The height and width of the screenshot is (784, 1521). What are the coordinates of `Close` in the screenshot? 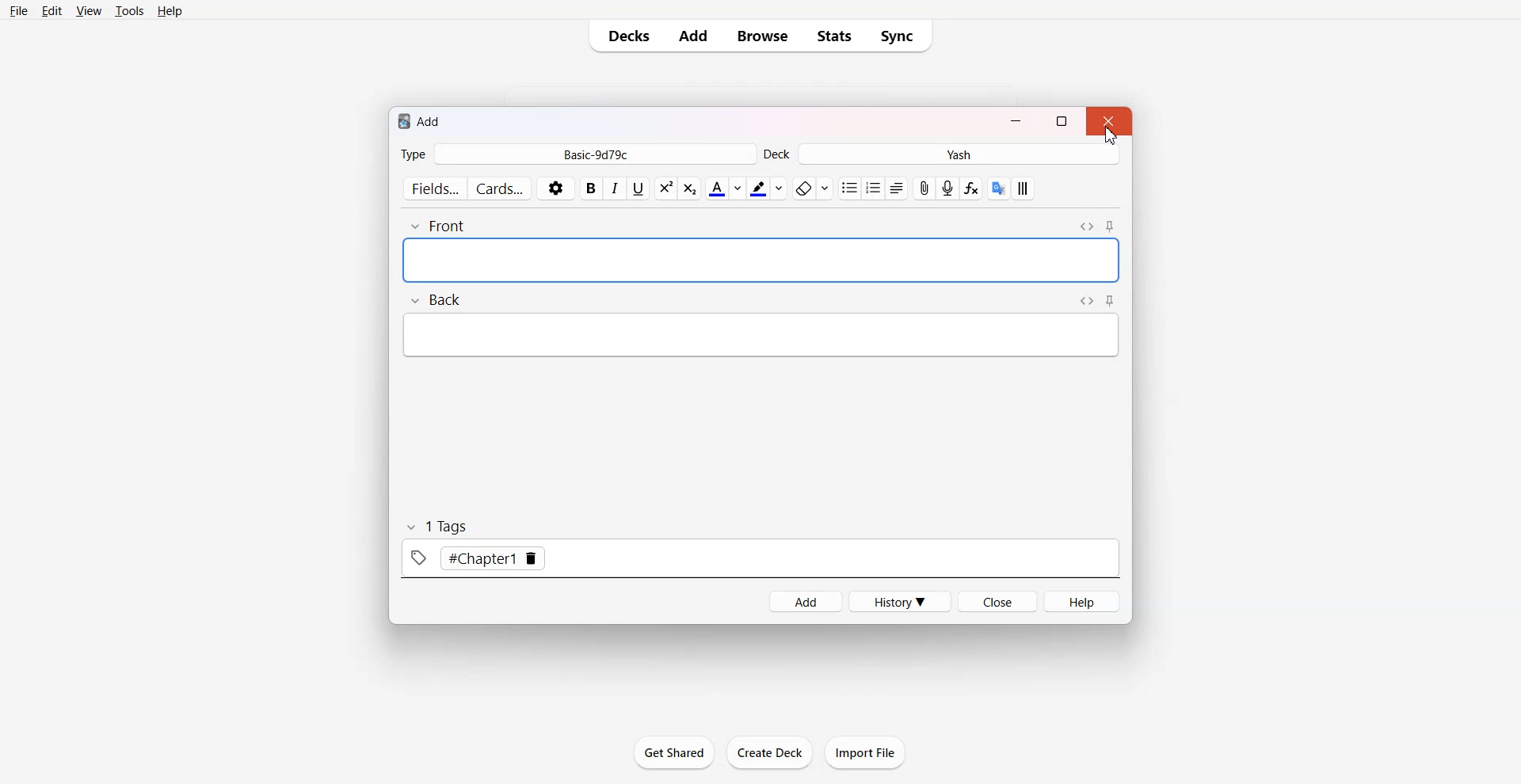 It's located at (997, 601).